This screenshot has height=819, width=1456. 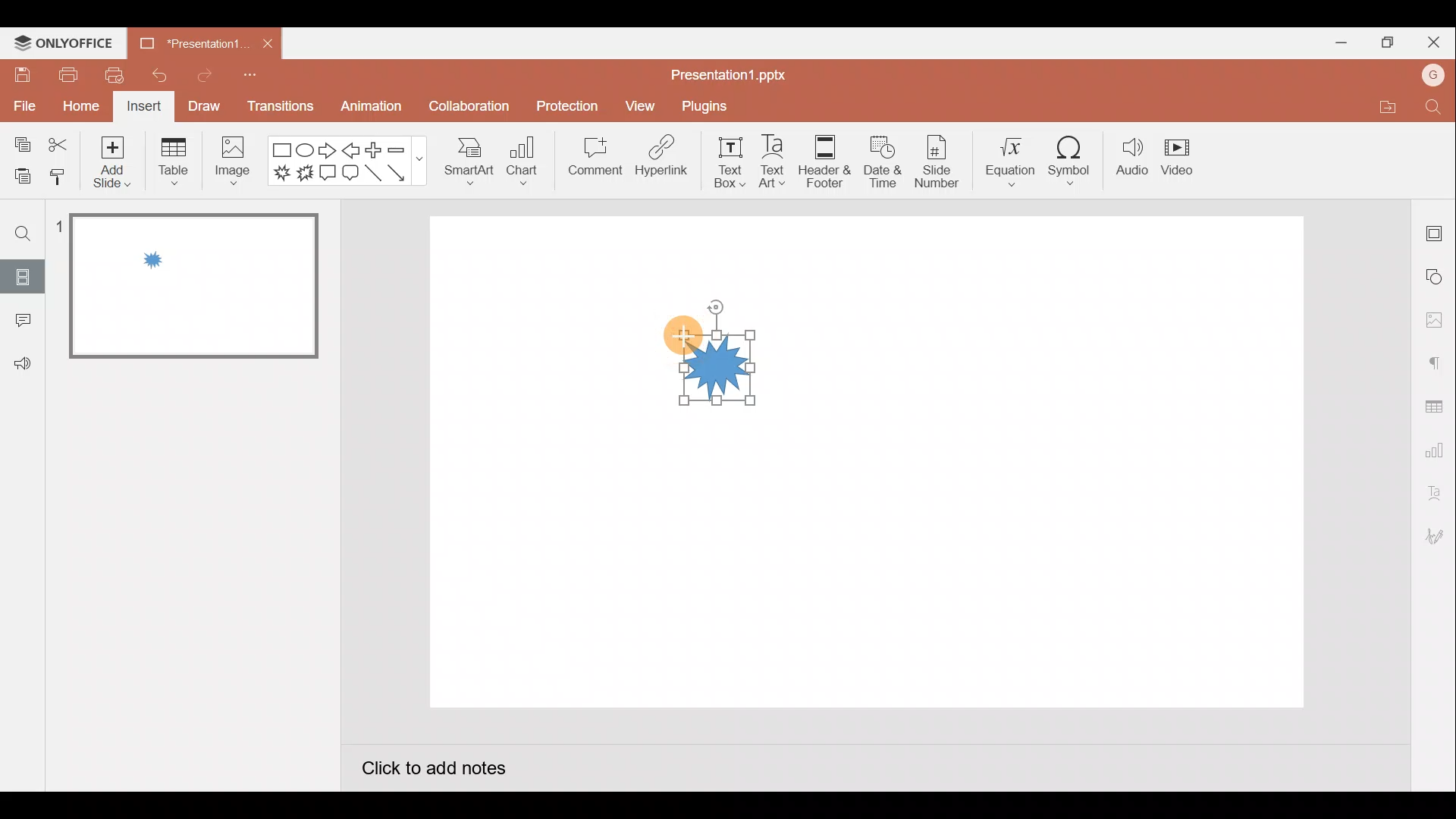 I want to click on Slide number, so click(x=938, y=162).